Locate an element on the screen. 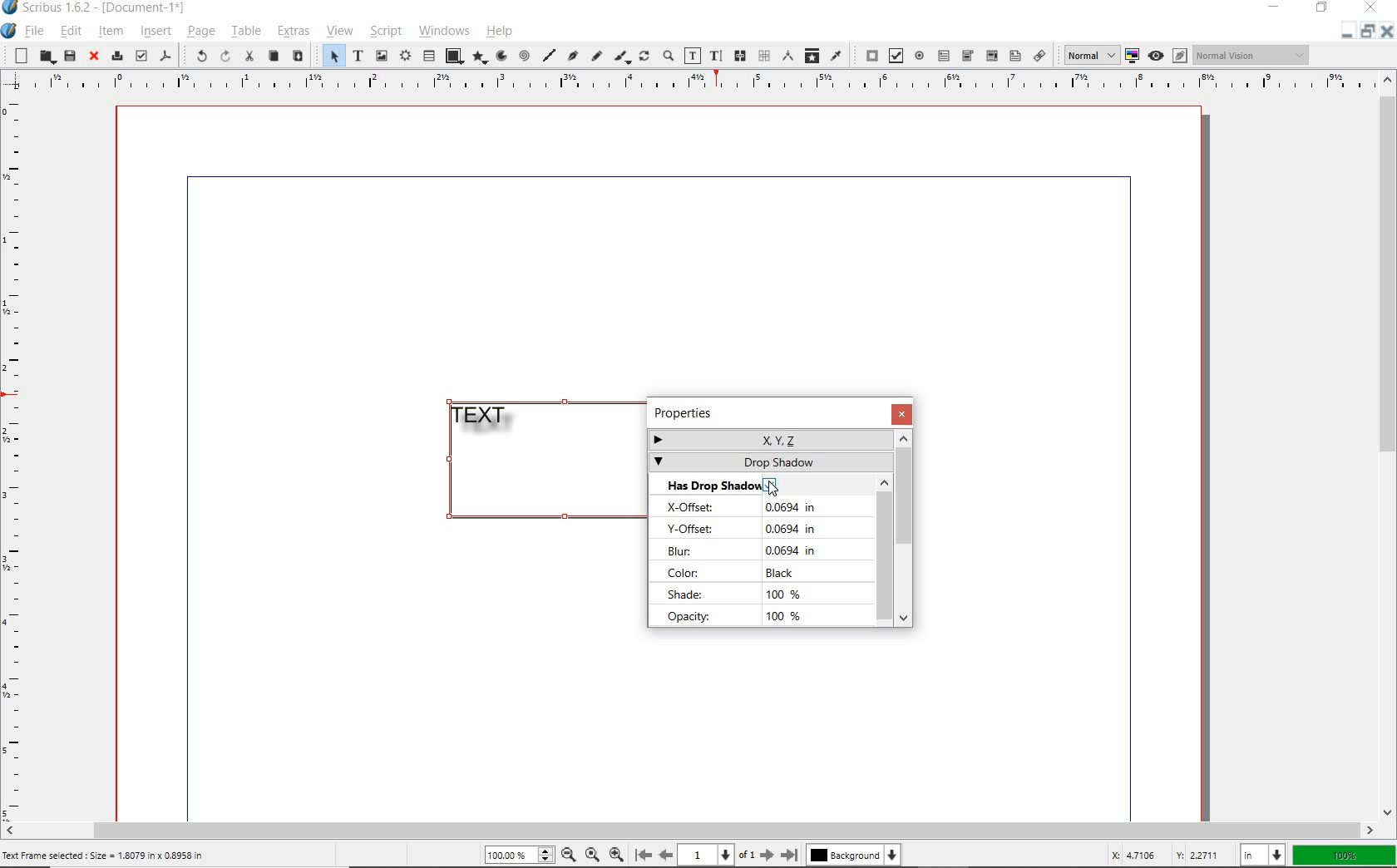  cut is located at coordinates (249, 56).